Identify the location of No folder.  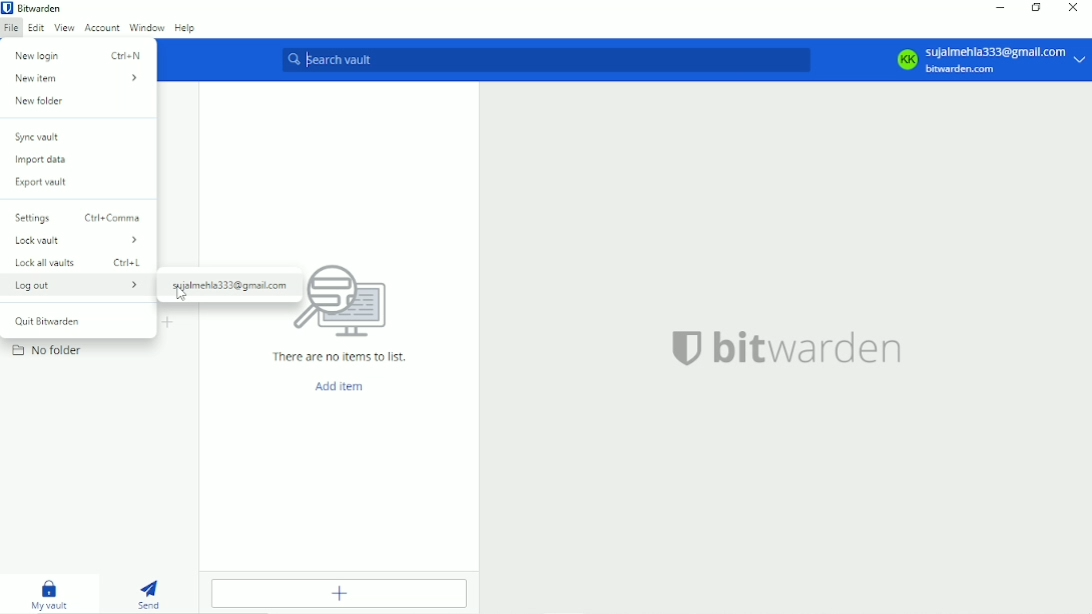
(47, 350).